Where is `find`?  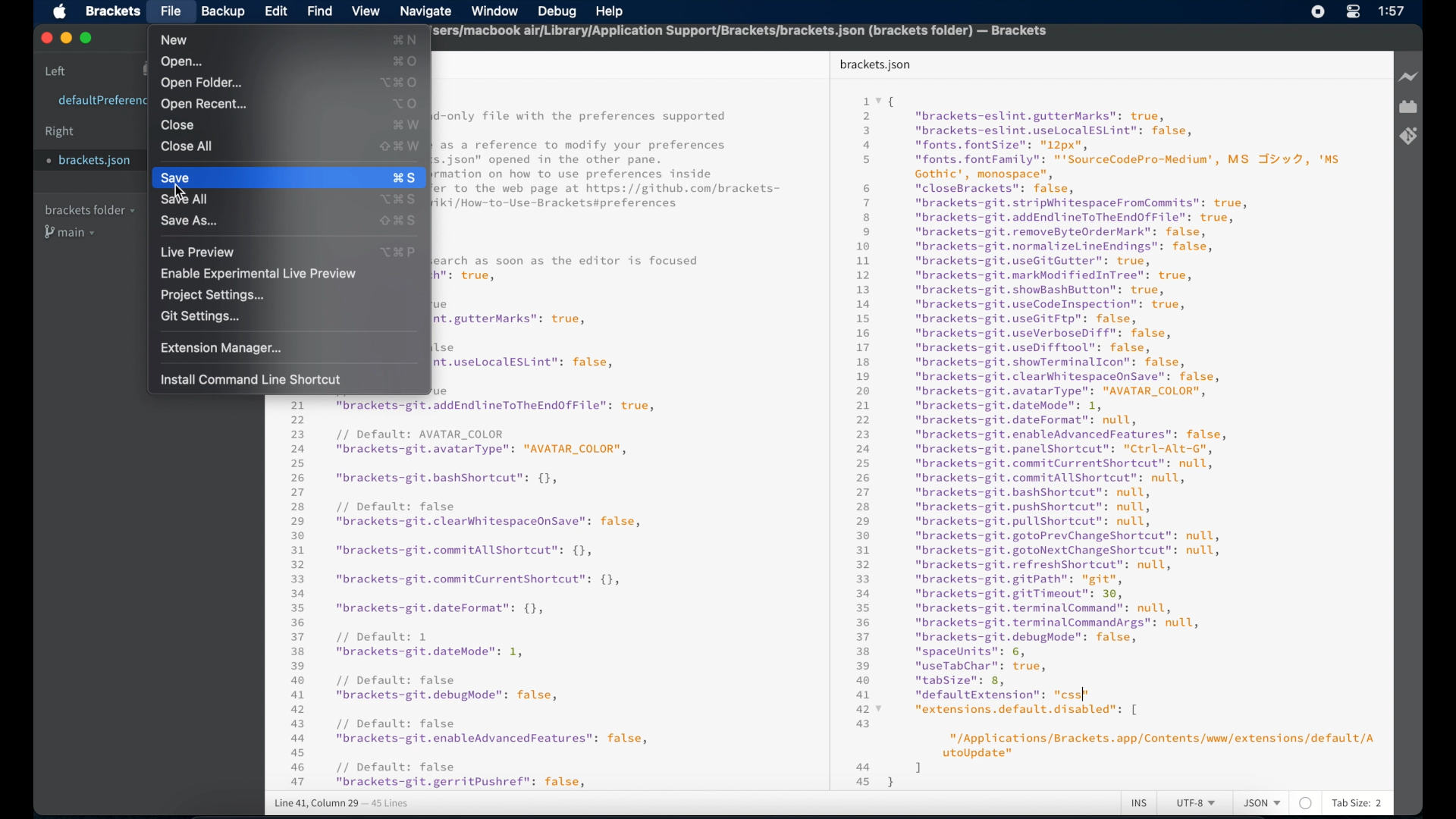
find is located at coordinates (320, 11).